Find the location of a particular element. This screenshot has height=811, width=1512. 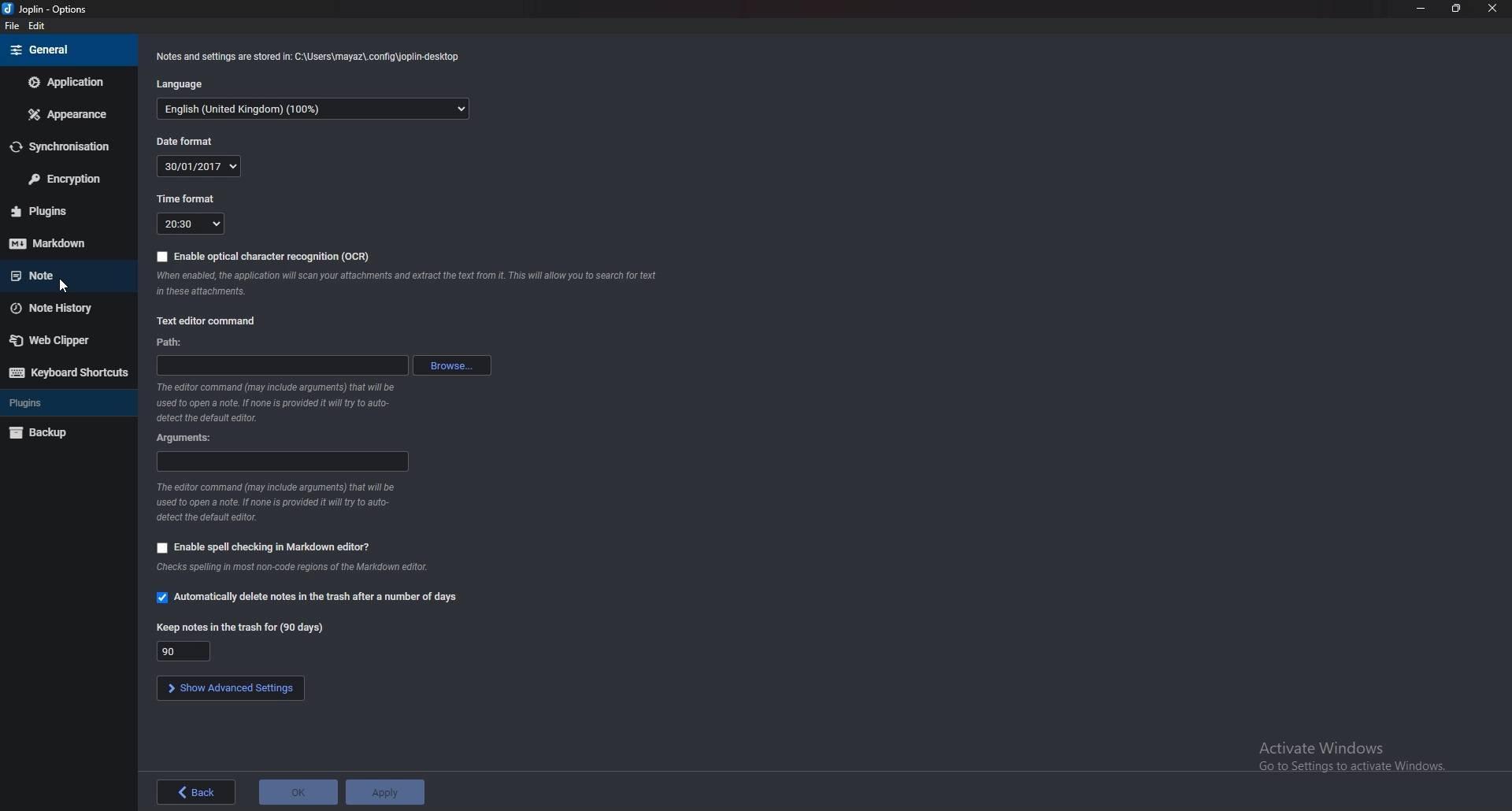

appearance is located at coordinates (69, 115).